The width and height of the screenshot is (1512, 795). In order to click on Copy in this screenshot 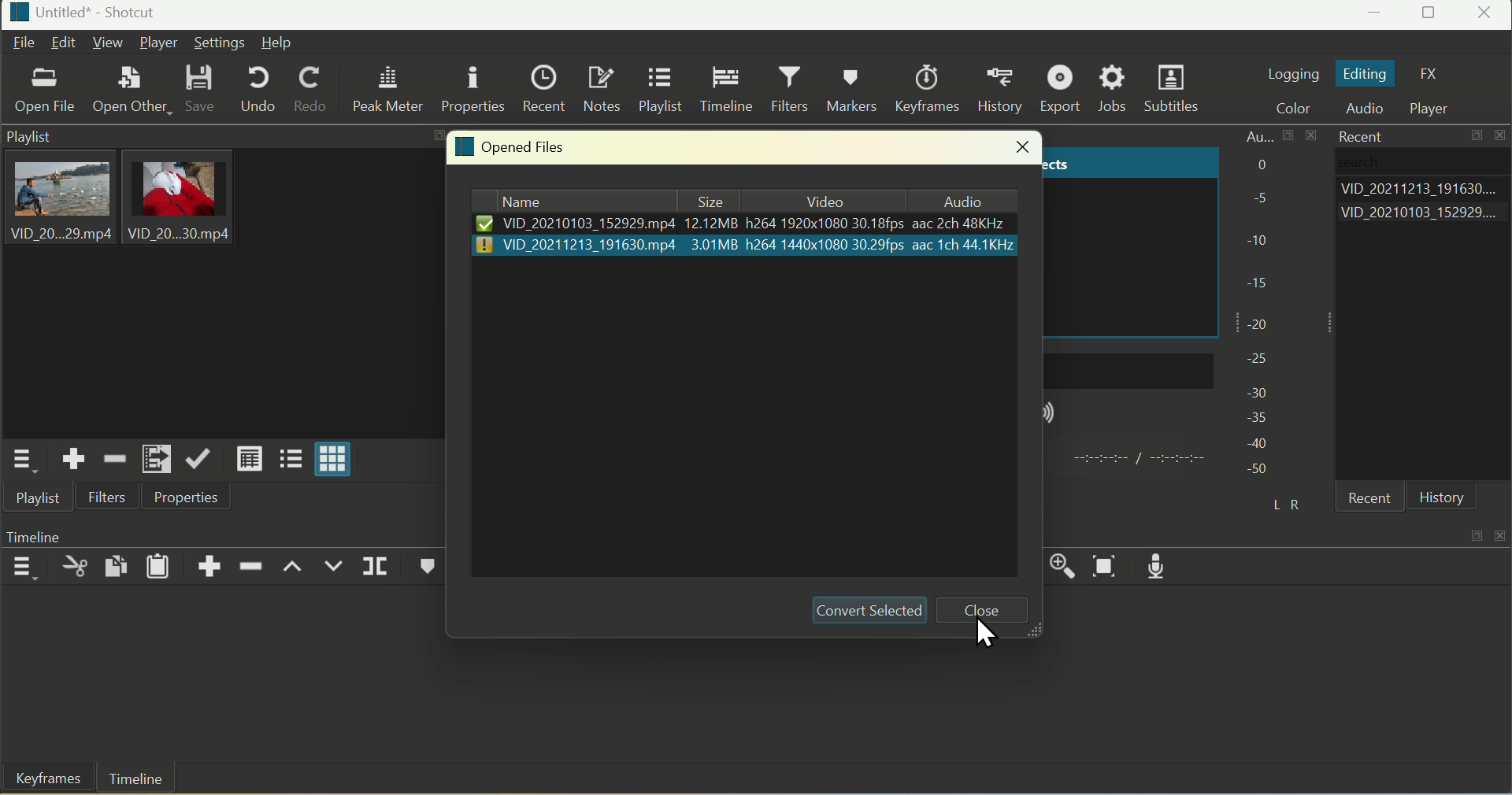, I will do `click(118, 564)`.